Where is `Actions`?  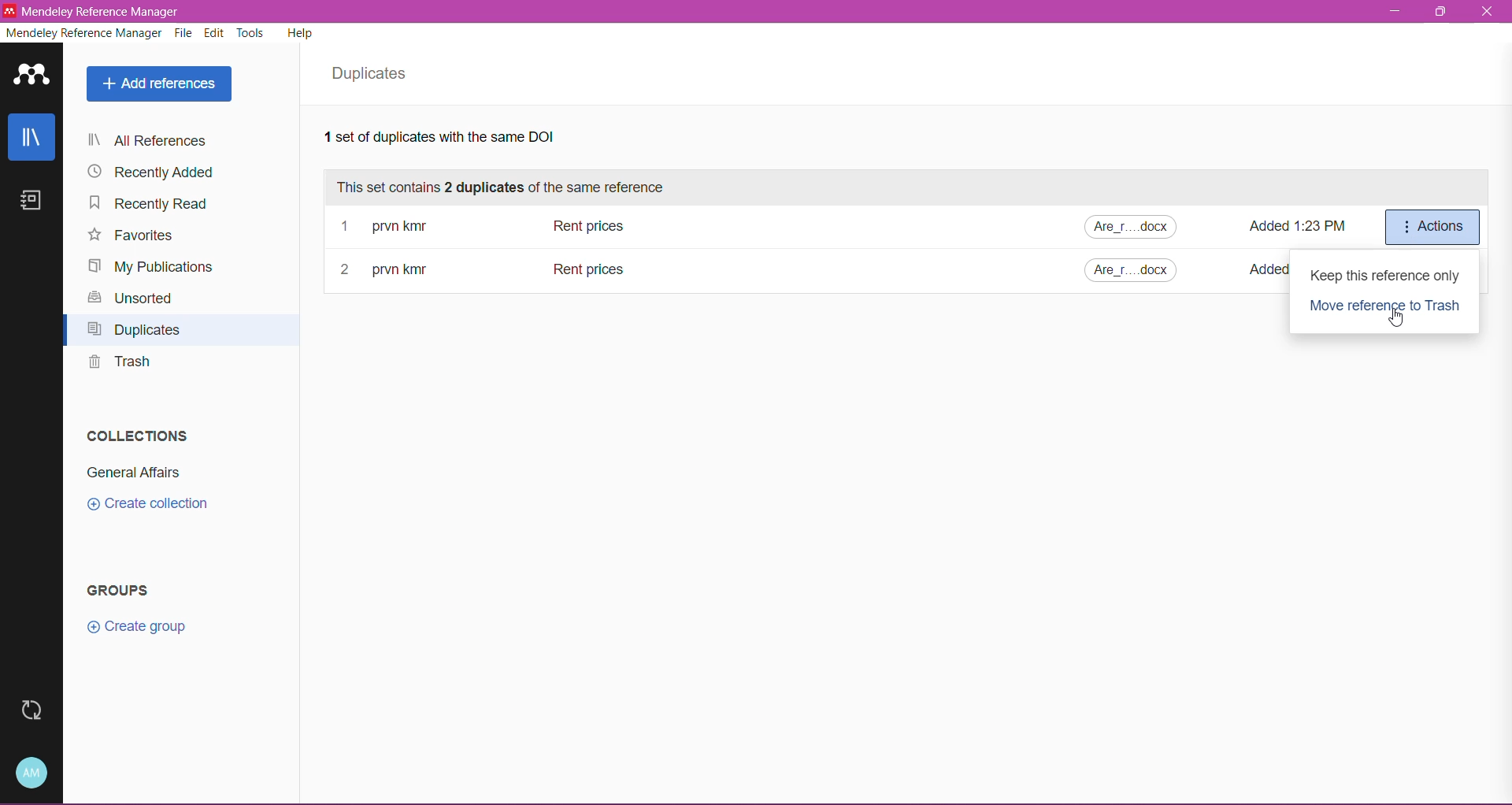
Actions is located at coordinates (1430, 228).